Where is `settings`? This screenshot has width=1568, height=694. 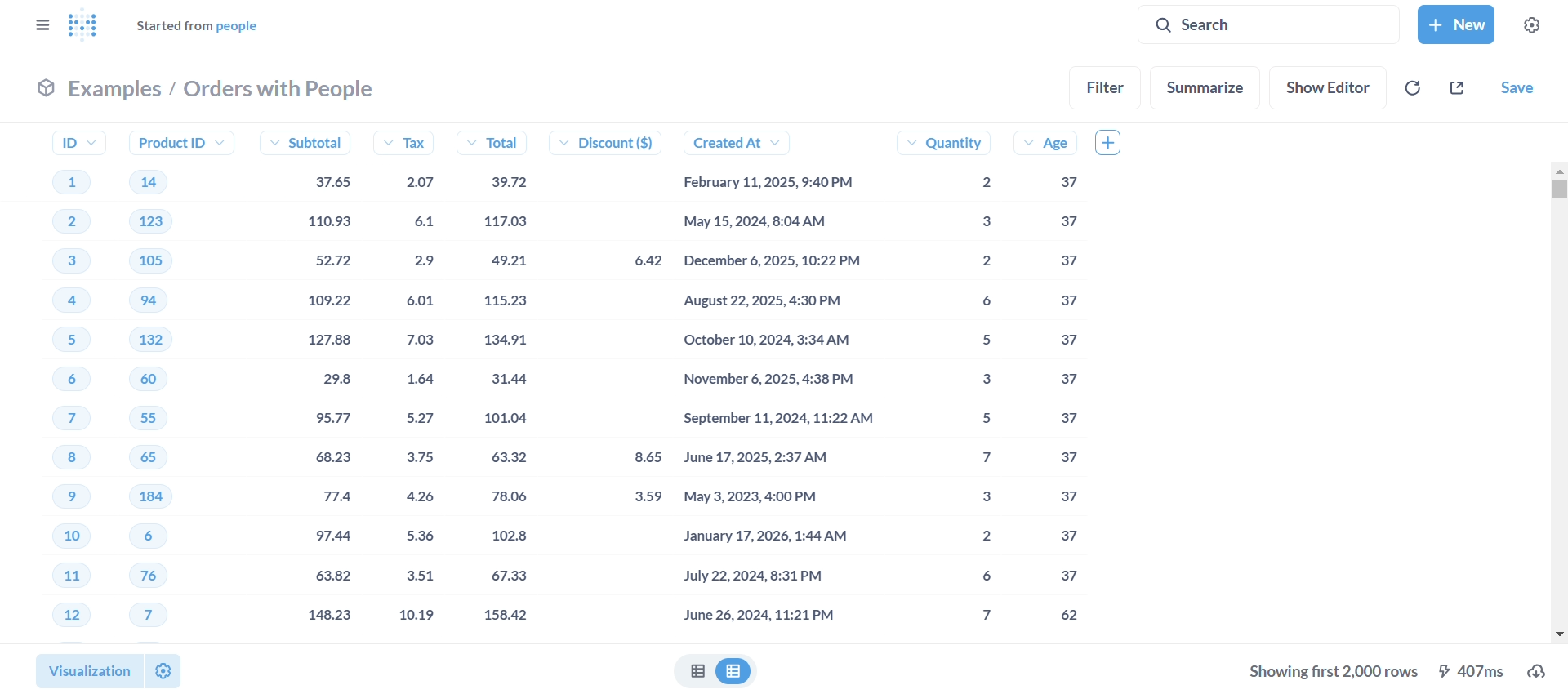
settings is located at coordinates (1536, 24).